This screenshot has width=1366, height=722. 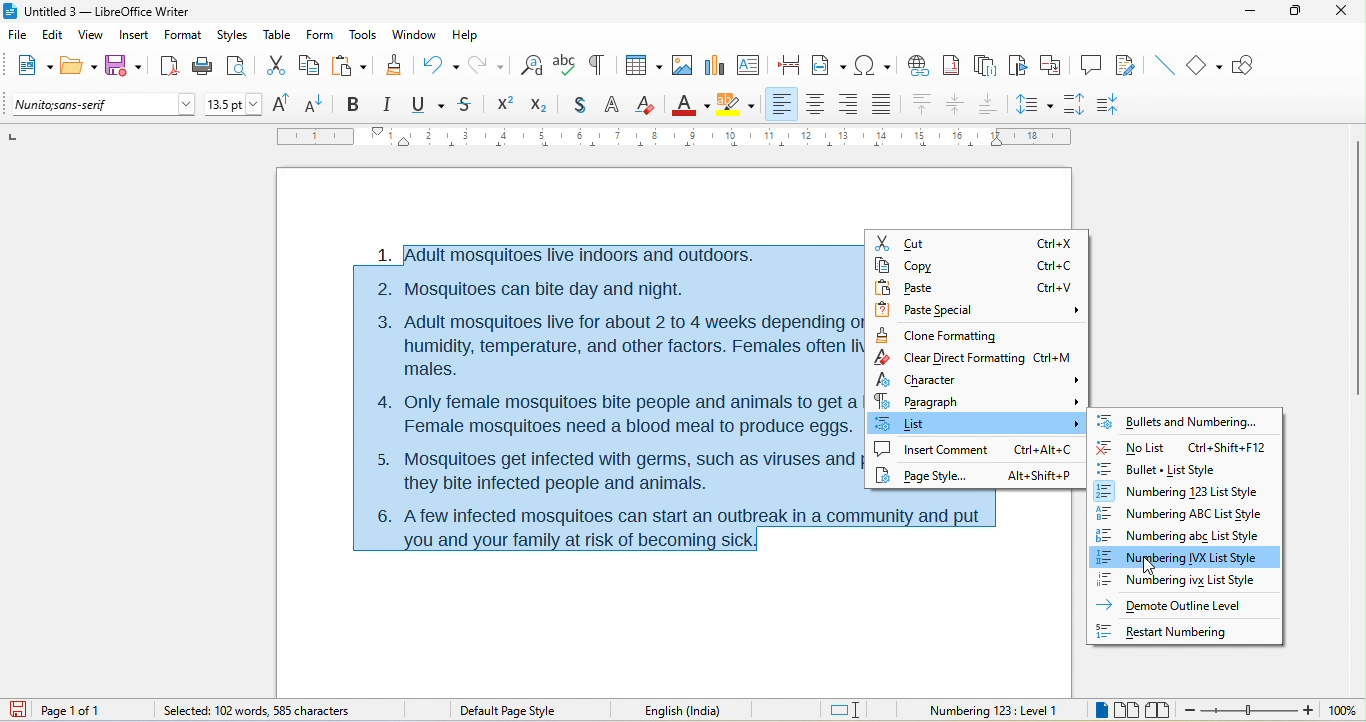 I want to click on chart, so click(x=715, y=66).